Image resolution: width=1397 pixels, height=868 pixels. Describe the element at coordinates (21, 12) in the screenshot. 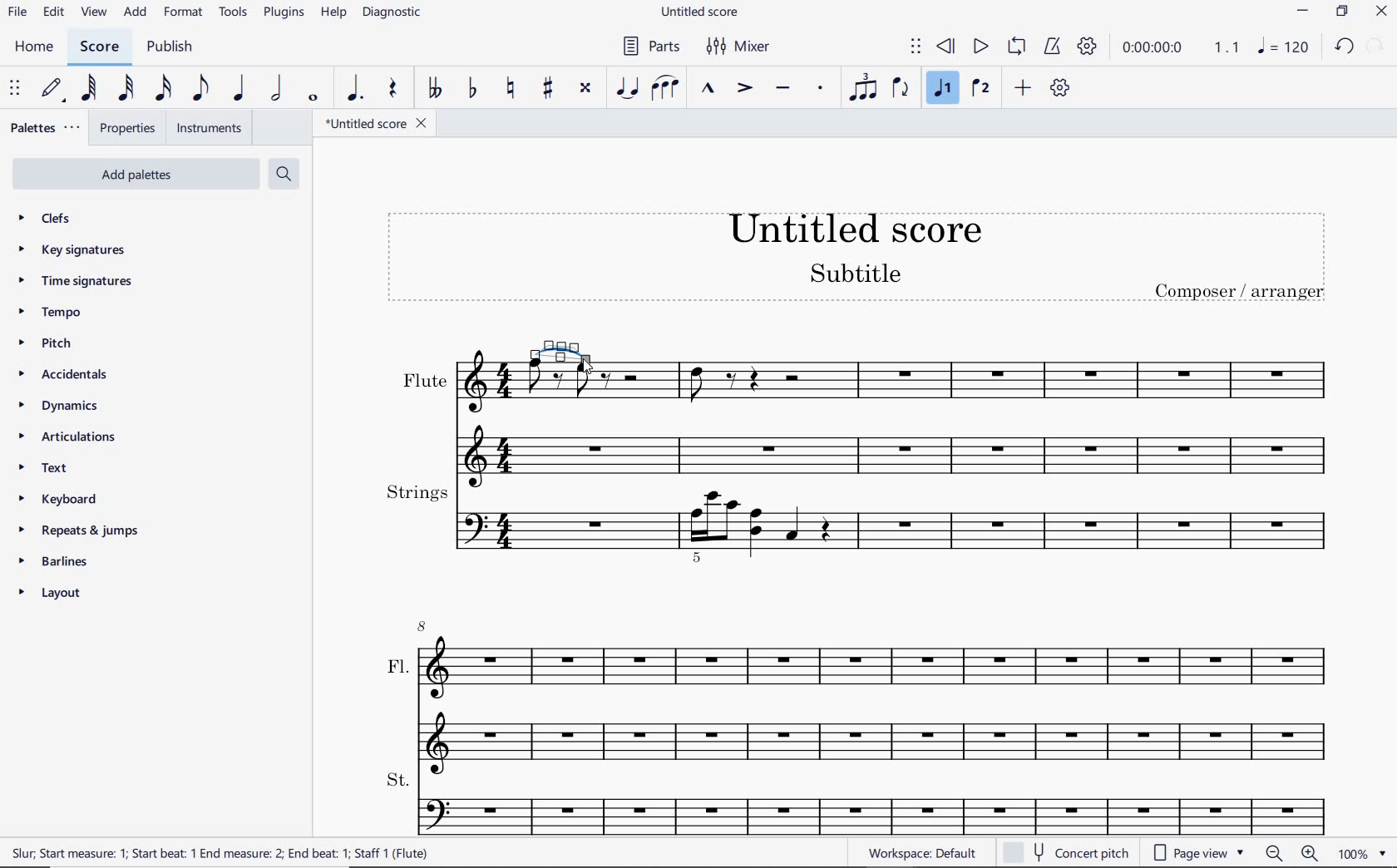

I see `file` at that location.